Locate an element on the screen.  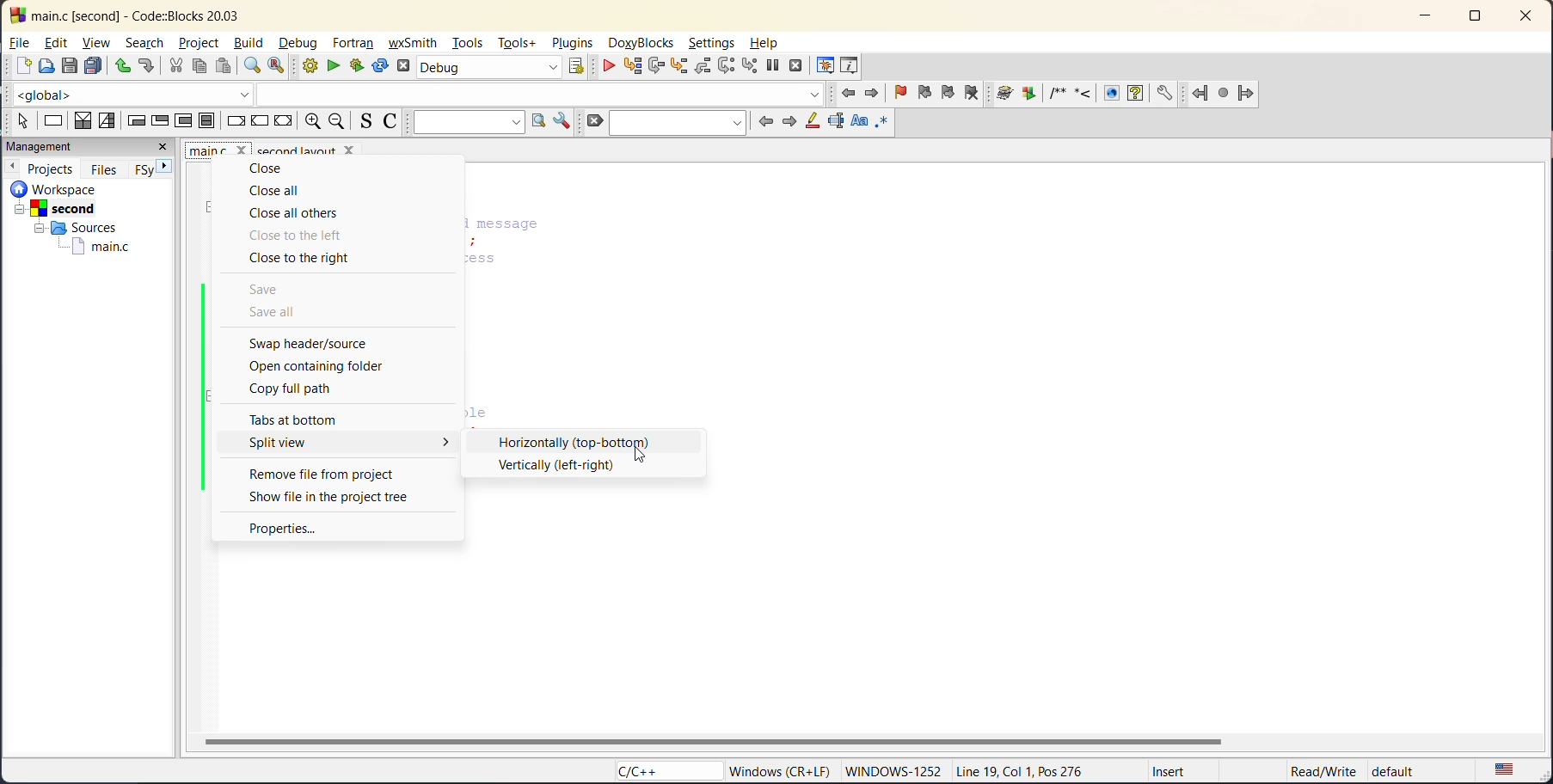
message is located at coordinates (555, 224).